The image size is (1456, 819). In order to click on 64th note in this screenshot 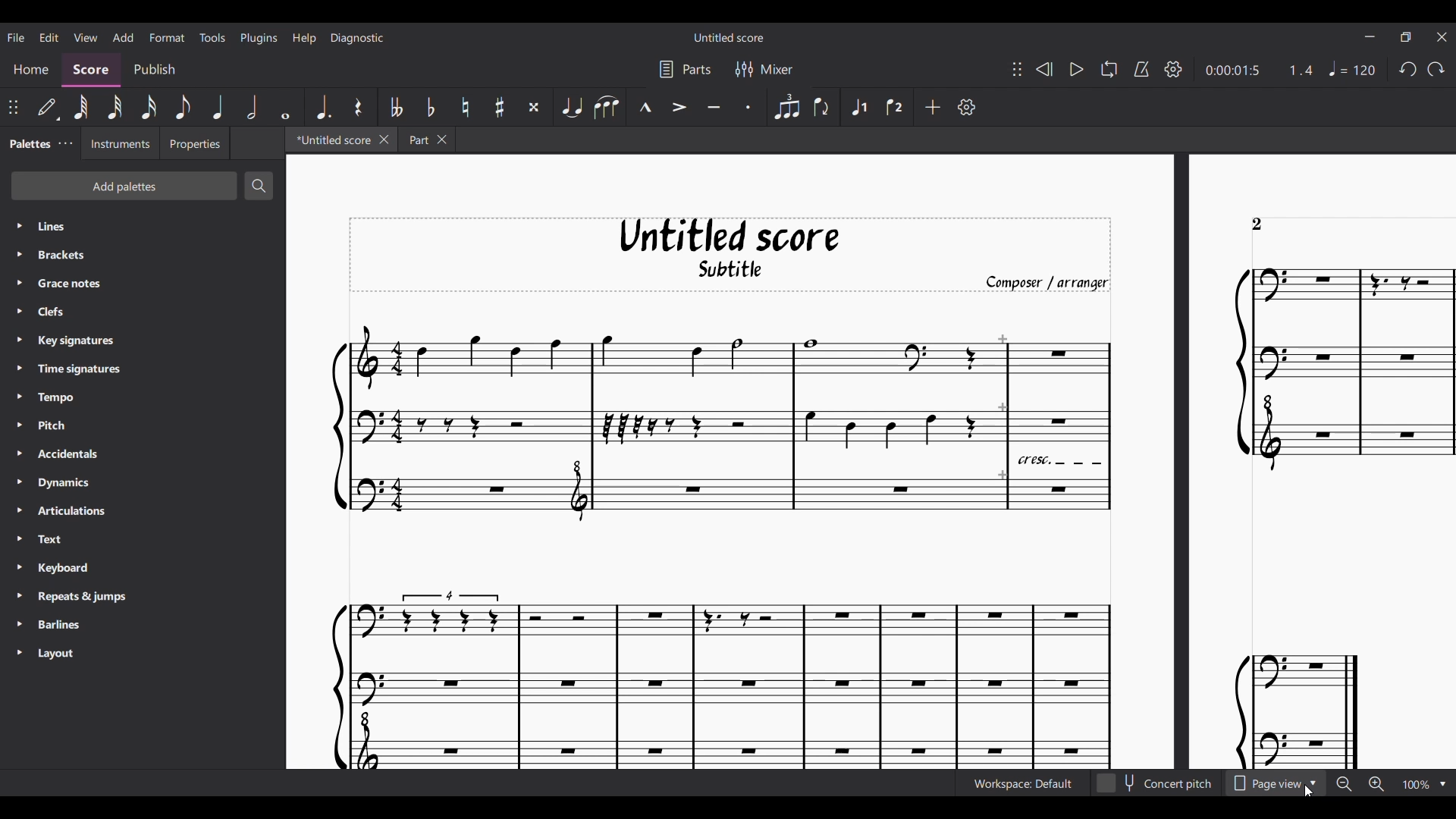, I will do `click(80, 106)`.